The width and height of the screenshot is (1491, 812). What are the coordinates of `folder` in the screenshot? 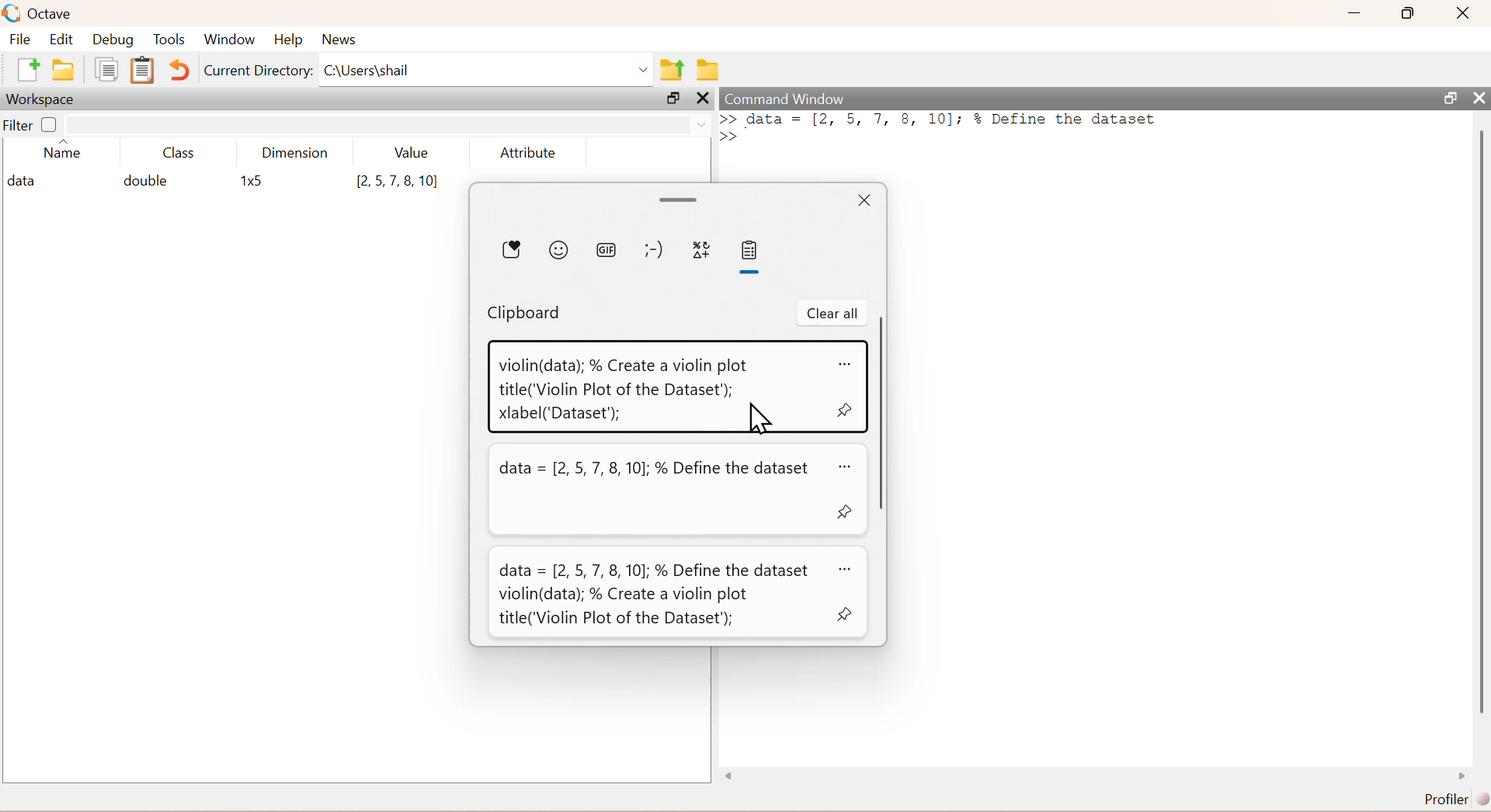 It's located at (710, 70).